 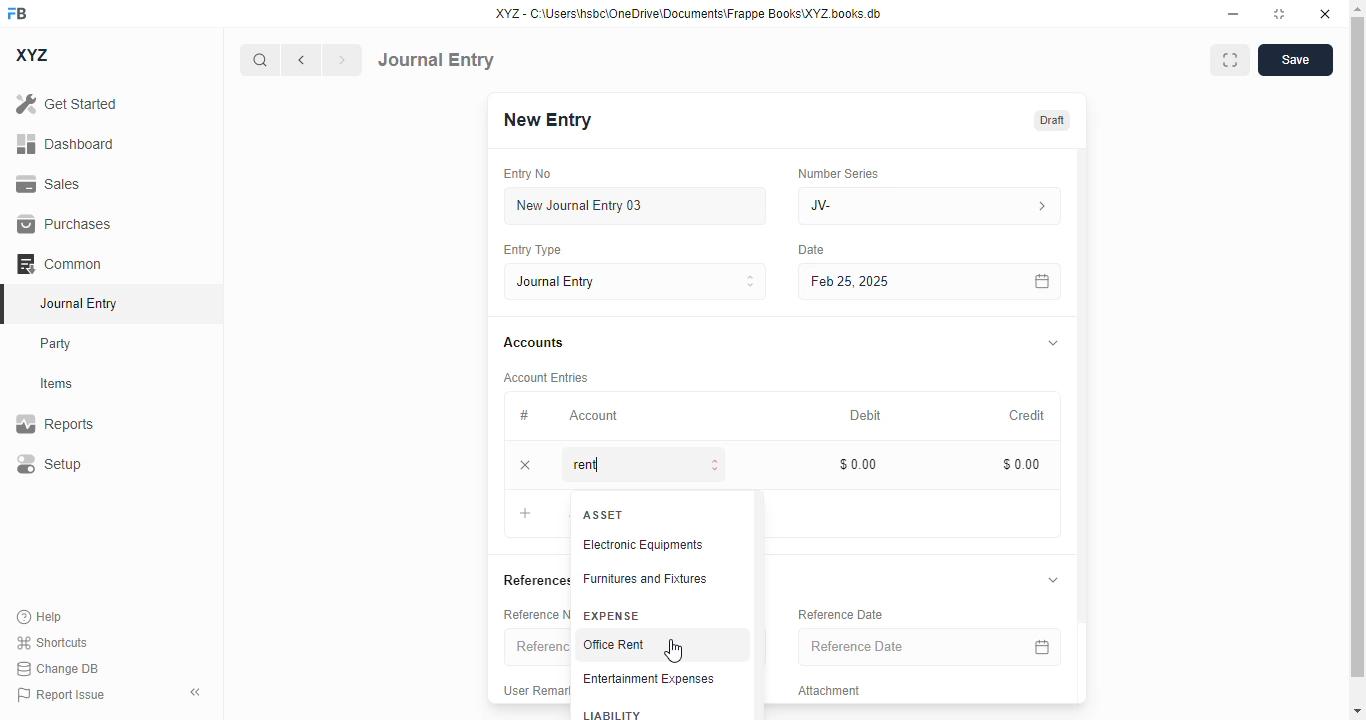 What do you see at coordinates (56, 344) in the screenshot?
I see `party` at bounding box center [56, 344].